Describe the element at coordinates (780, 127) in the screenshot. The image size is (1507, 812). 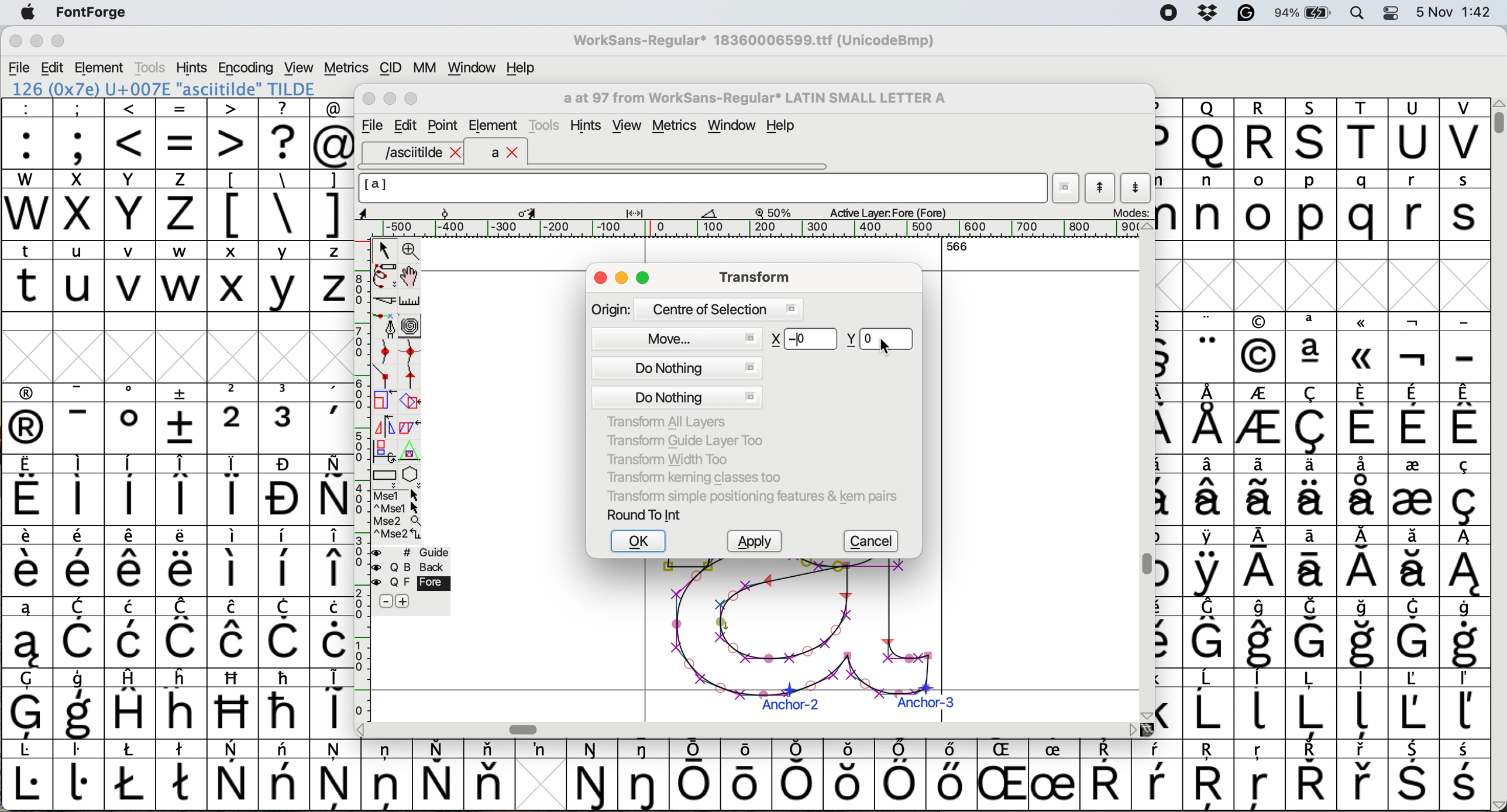
I see `Help` at that location.